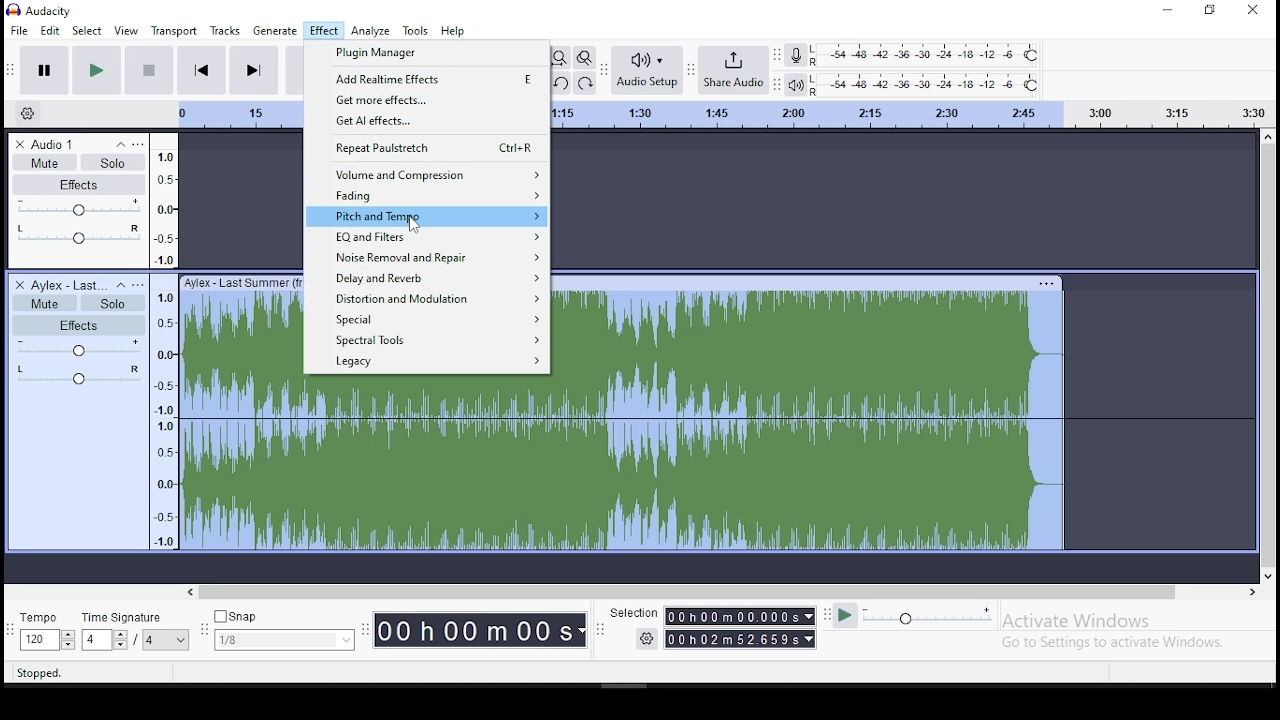  I want to click on pause, so click(96, 70).